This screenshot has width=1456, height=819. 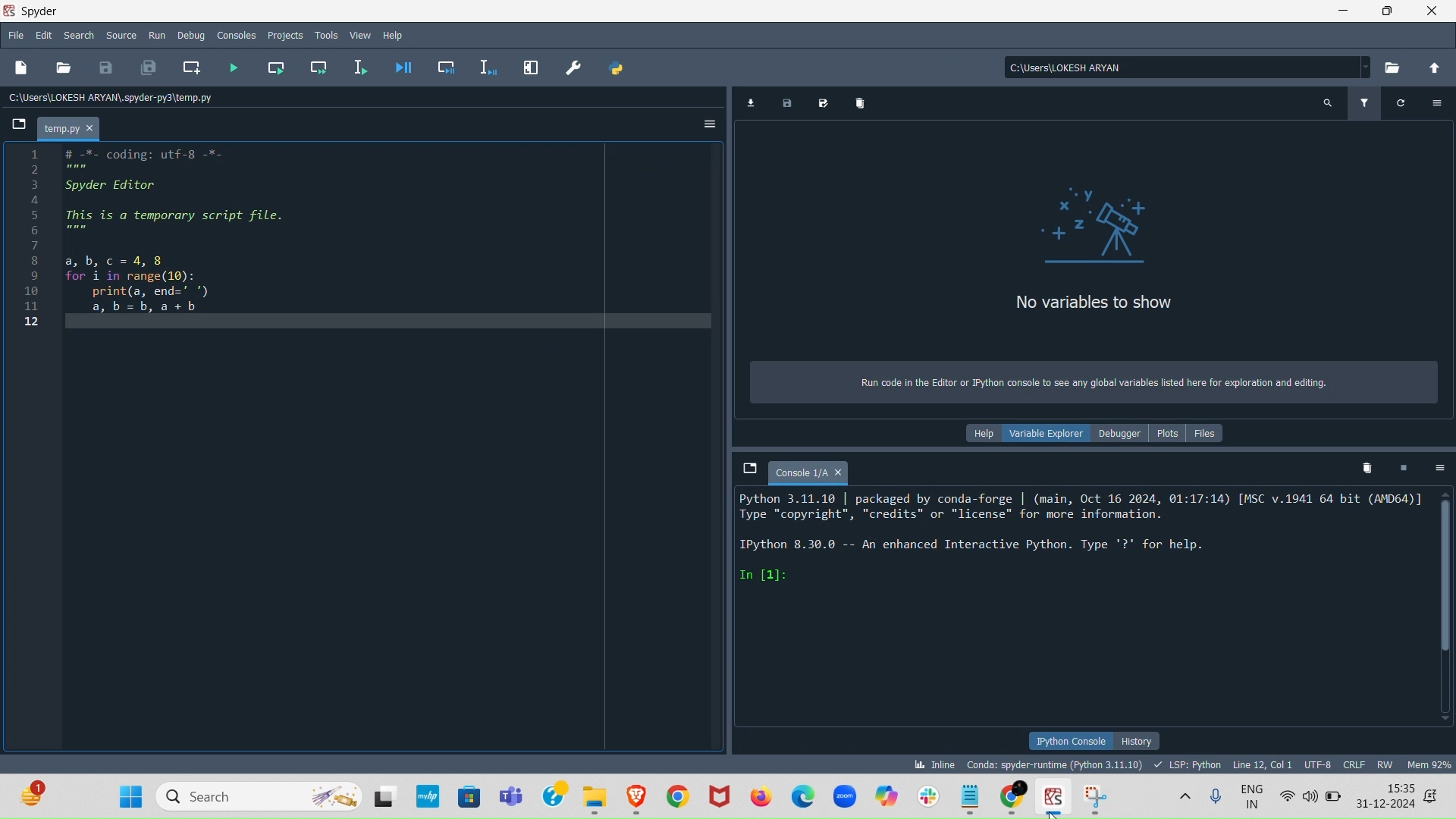 I want to click on New file (Ctrl + N), so click(x=20, y=67).